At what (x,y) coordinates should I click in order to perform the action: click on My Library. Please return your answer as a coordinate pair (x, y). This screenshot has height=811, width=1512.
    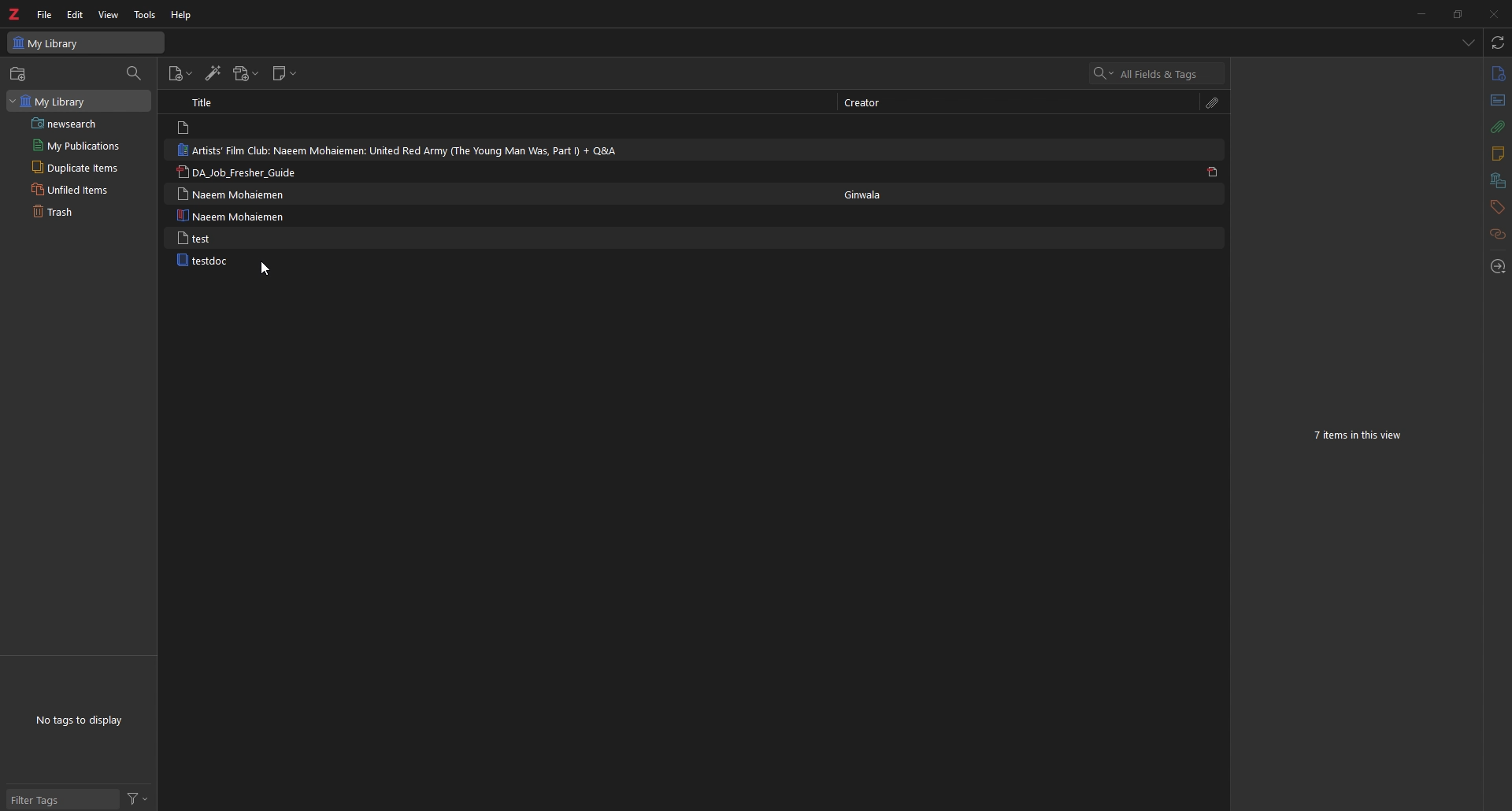
    Looking at the image, I should click on (86, 43).